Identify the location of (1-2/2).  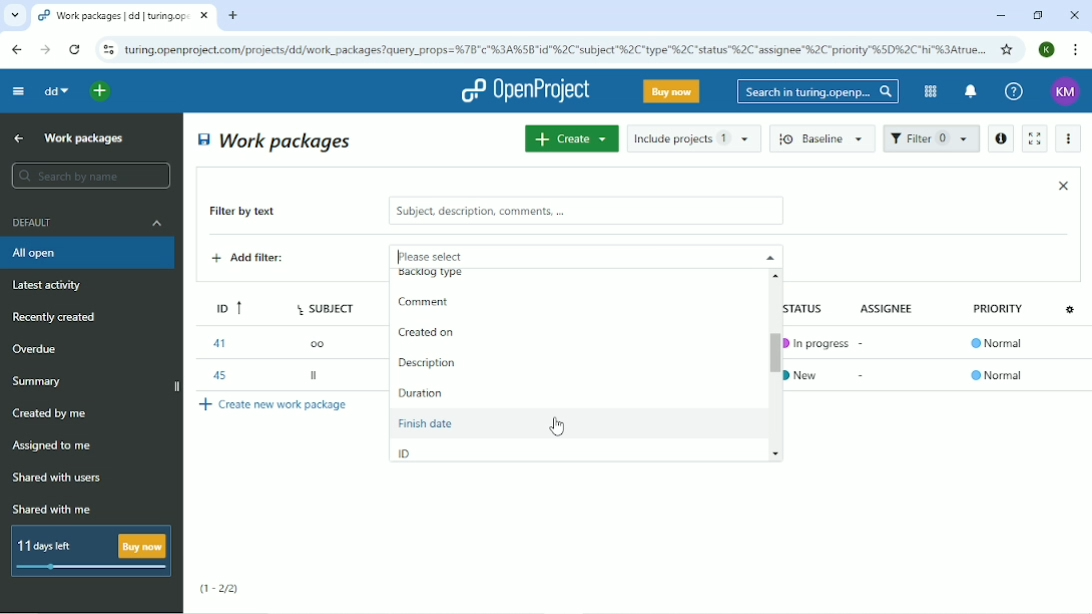
(220, 589).